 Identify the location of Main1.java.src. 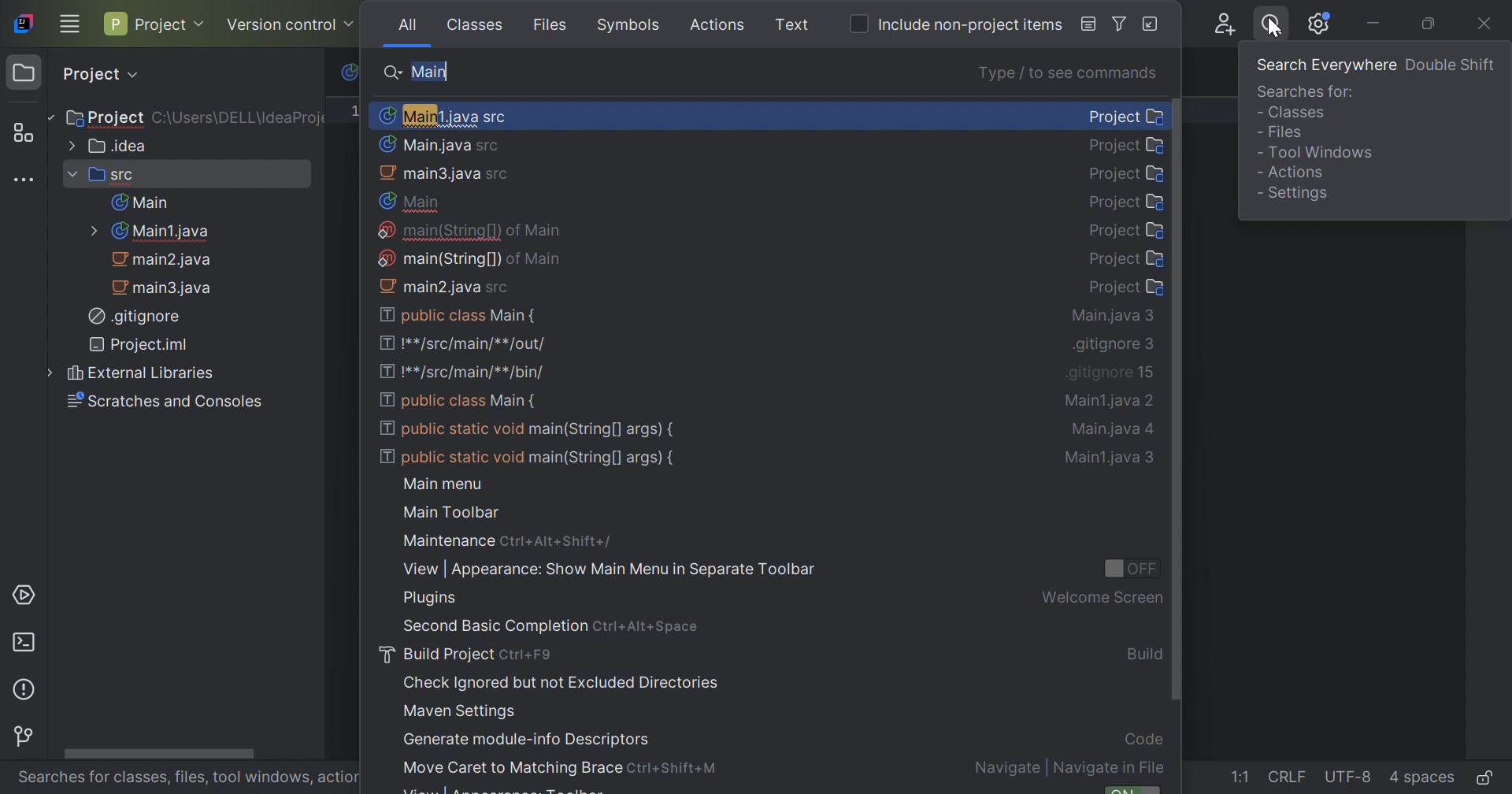
(442, 114).